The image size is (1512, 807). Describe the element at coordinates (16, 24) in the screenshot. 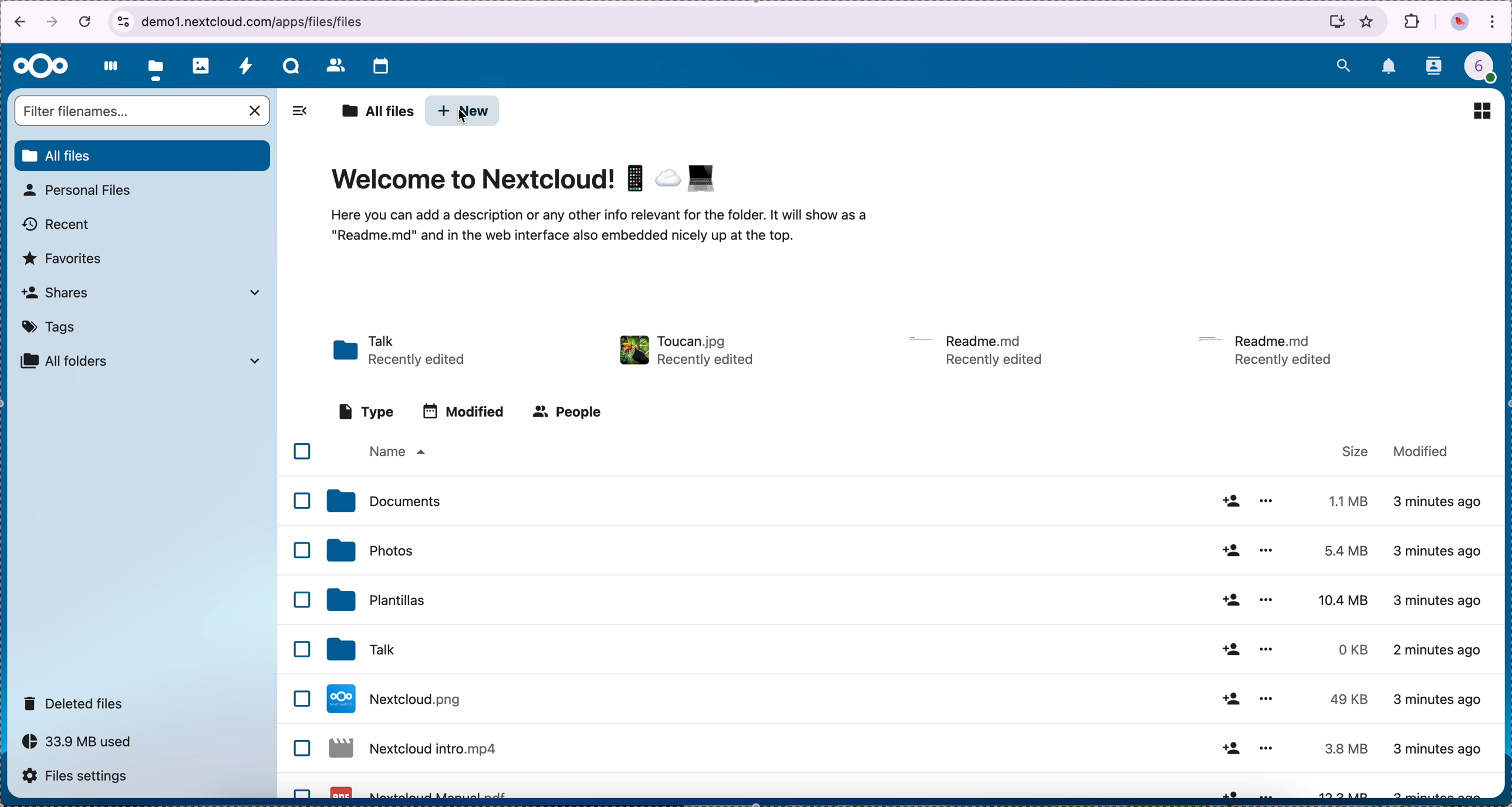

I see `navigate back` at that location.